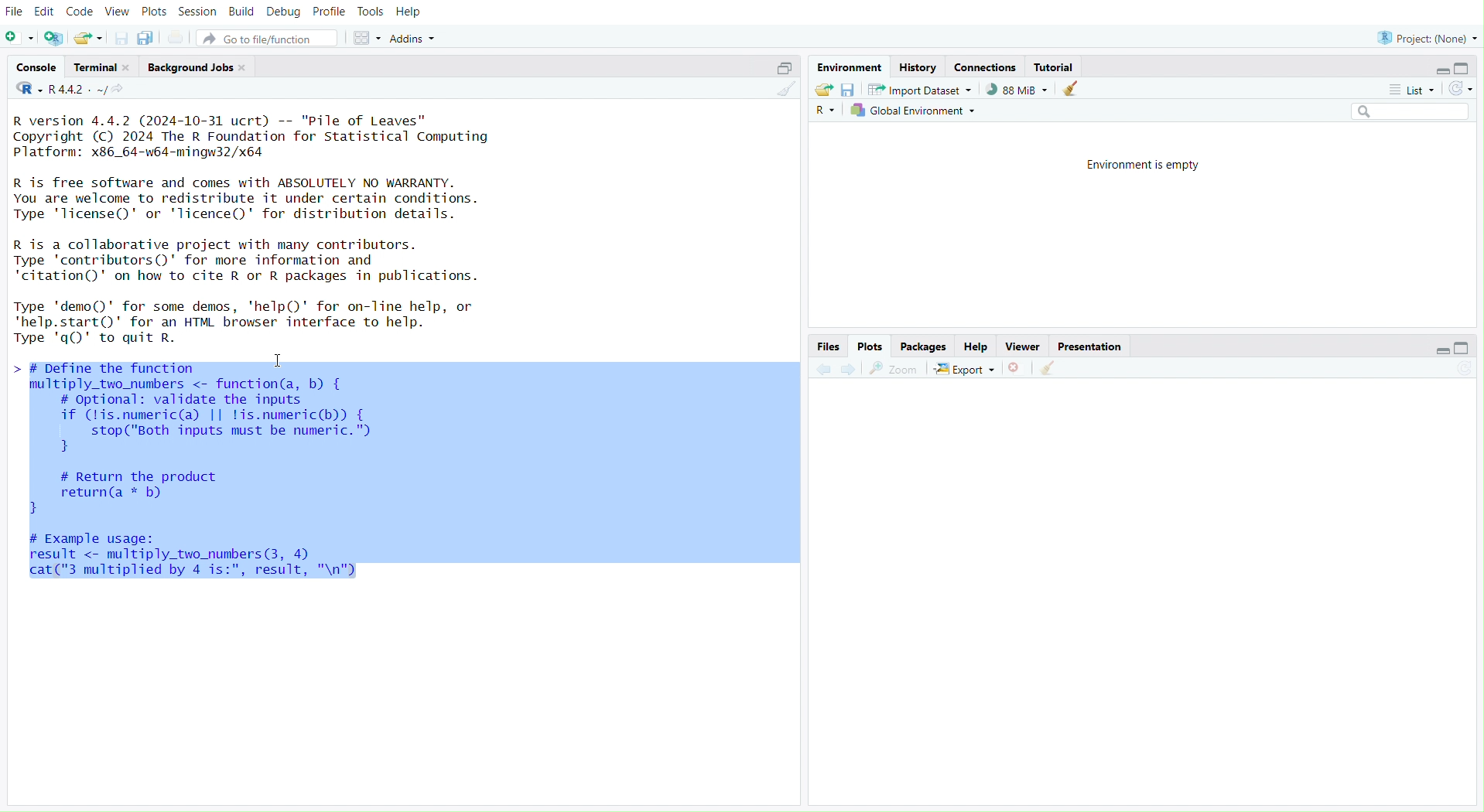  I want to click on > # Define the function B

multiply _two_nunbers <- function(a, b) {
# optional: validate the inputs
if (lis.numeric(a) || lis.numeric(b)) {

stop("Both inputs must be numeric."

3
# Return the product
return(a * b)

3

# Example usage:

result < multiply_two_nunbers(3, 4)

cat("3 multiplied by 4 is:", result, "\n"), so click(400, 481).